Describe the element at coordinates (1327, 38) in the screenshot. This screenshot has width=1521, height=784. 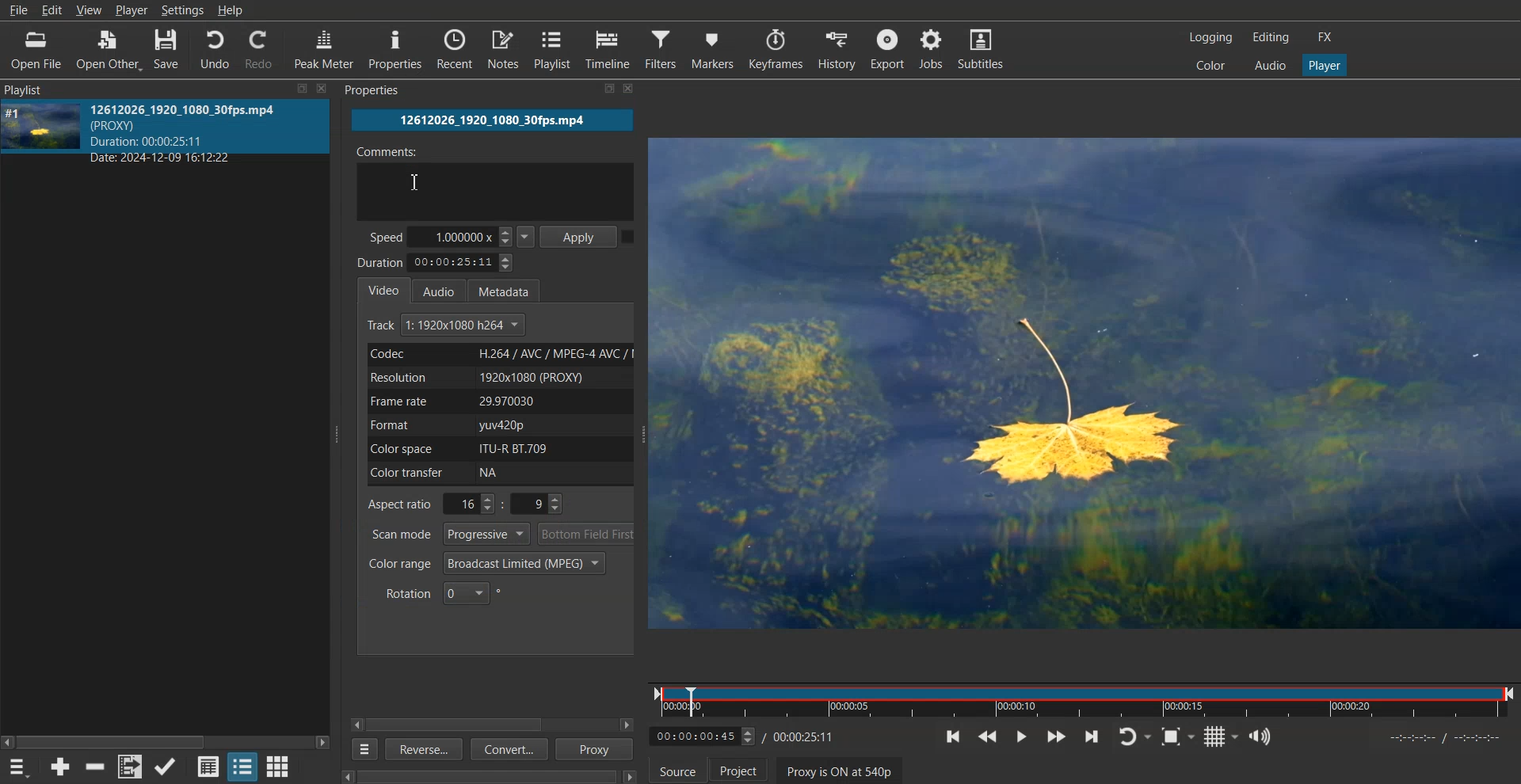
I see `FX` at that location.